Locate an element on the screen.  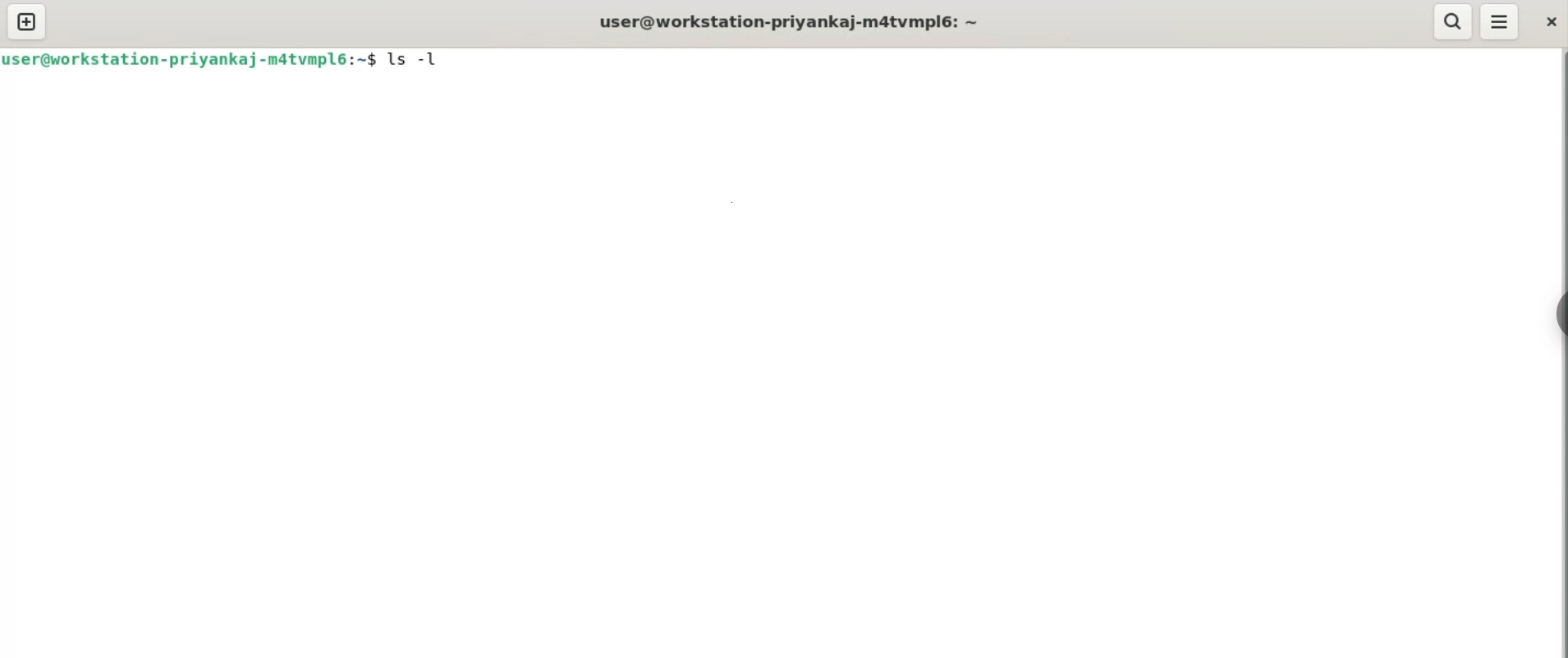
close is located at coordinates (1550, 21).